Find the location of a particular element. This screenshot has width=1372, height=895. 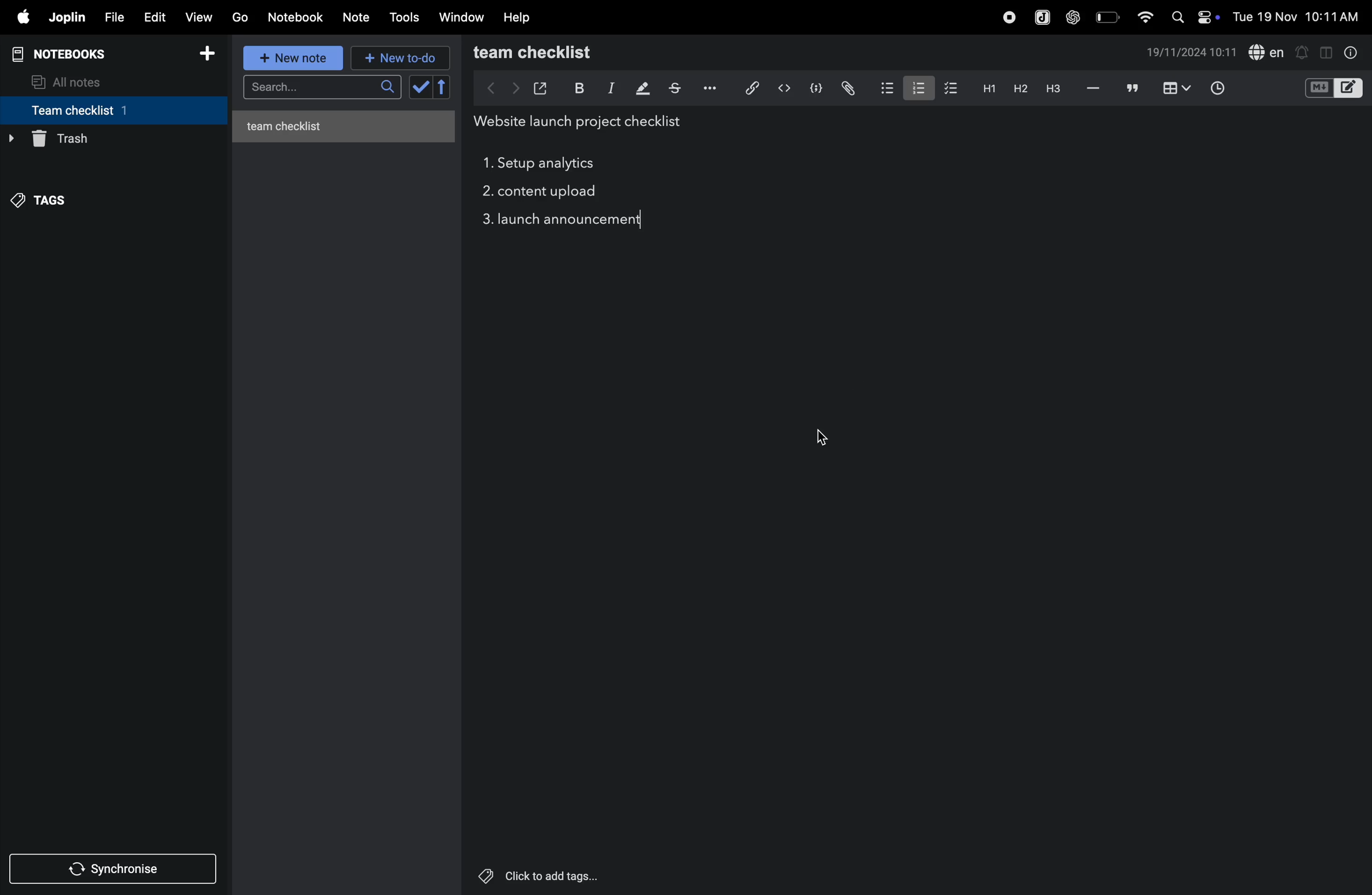

table is located at coordinates (1175, 88).